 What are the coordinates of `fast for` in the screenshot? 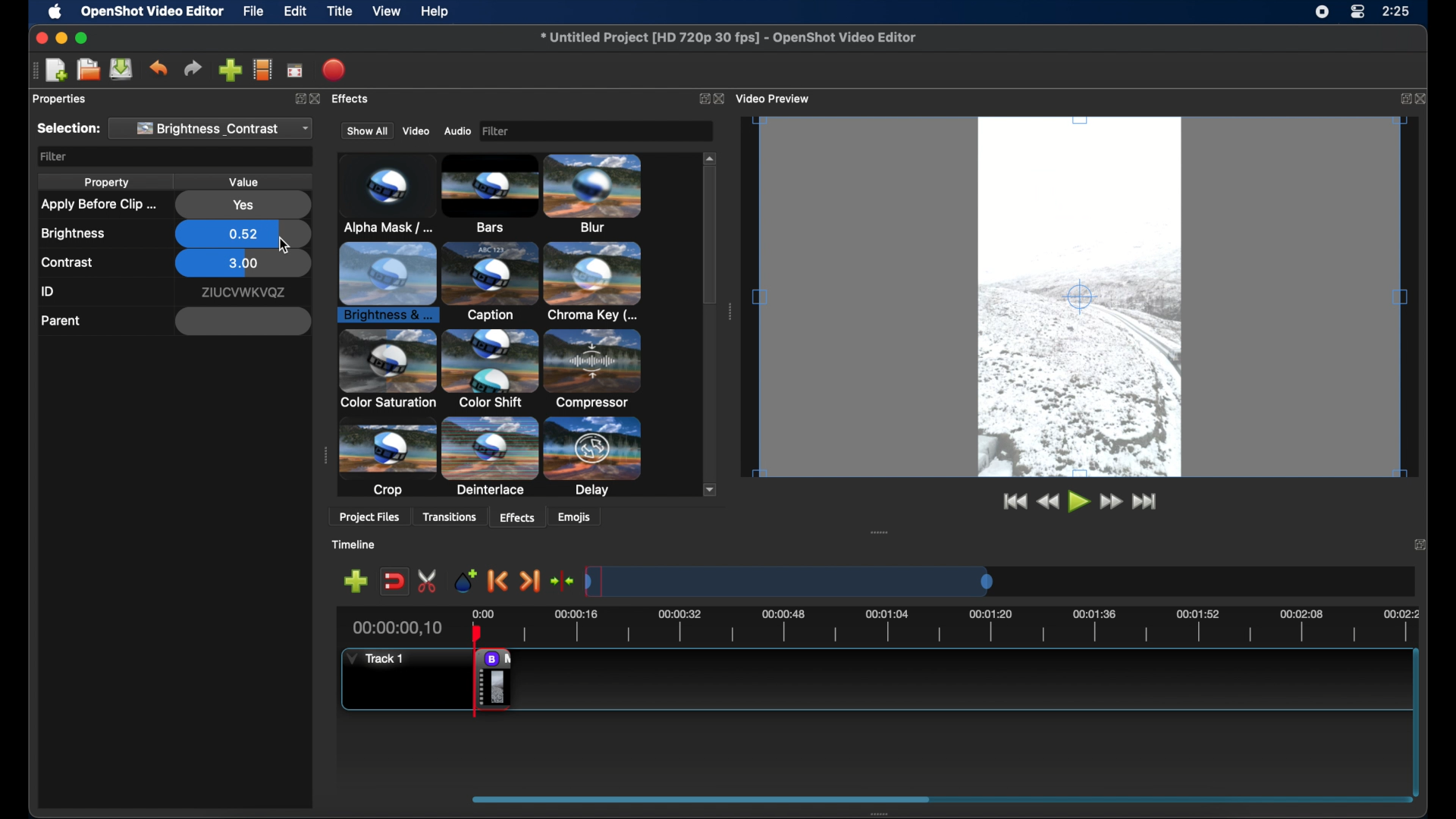 It's located at (1111, 504).